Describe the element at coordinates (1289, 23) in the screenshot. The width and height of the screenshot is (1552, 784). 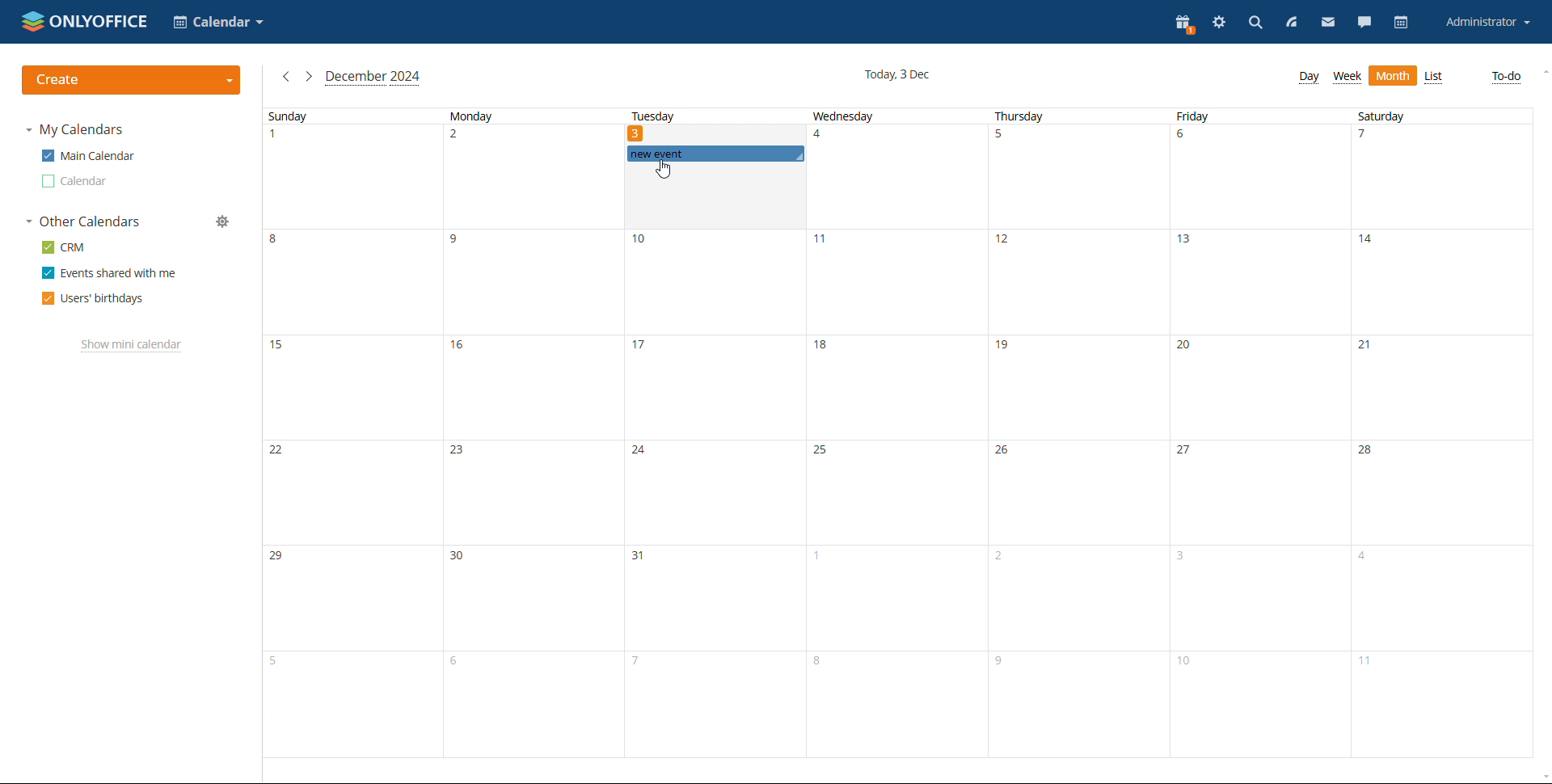
I see `feed` at that location.